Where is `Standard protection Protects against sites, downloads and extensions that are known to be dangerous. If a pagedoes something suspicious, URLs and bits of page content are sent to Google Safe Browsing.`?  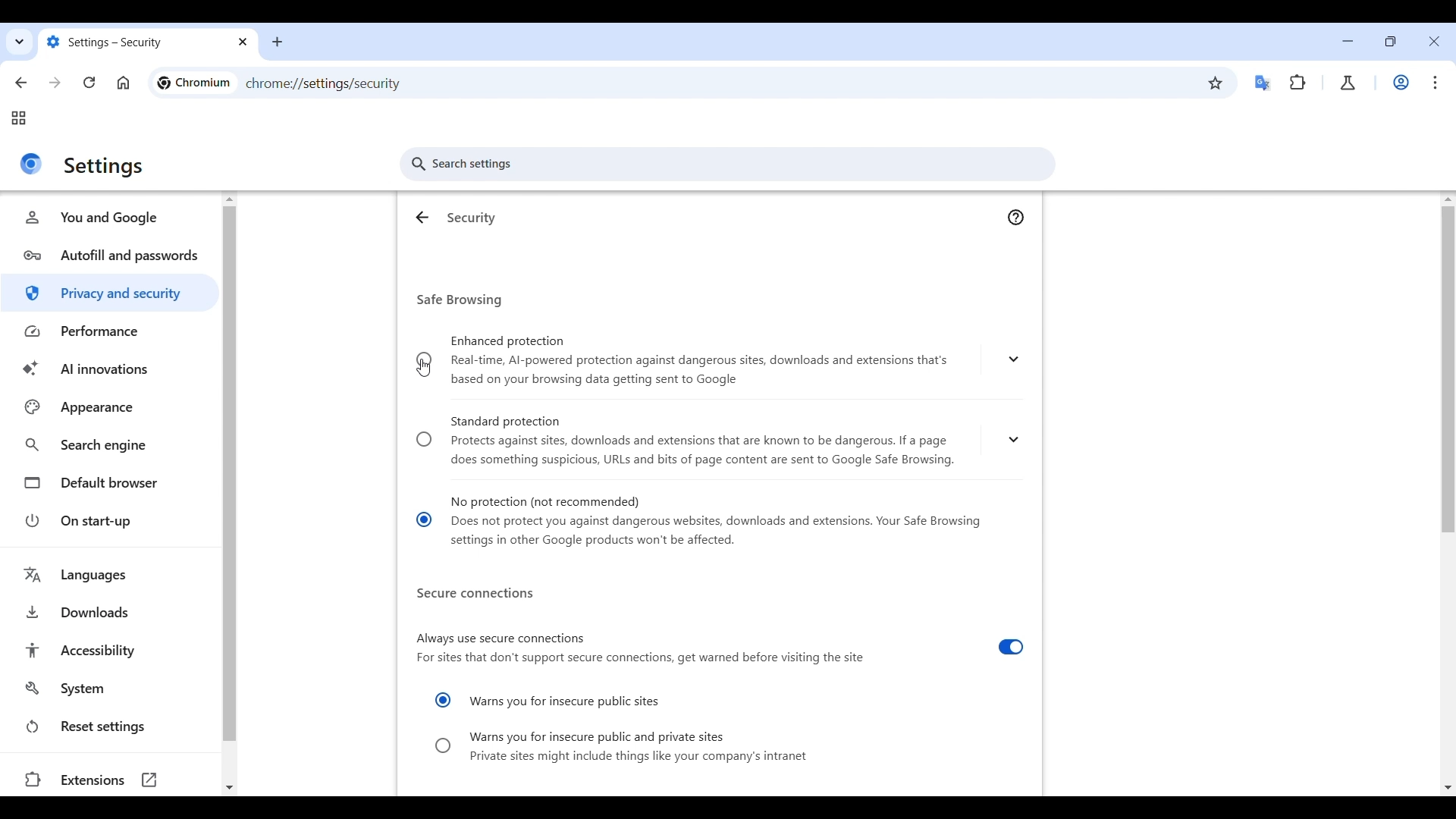
Standard protection Protects against sites, downloads and extensions that are known to be dangerous. If a pagedoes something suspicious, URLs and bits of page content are sent to Google Safe Browsing. is located at coordinates (689, 447).